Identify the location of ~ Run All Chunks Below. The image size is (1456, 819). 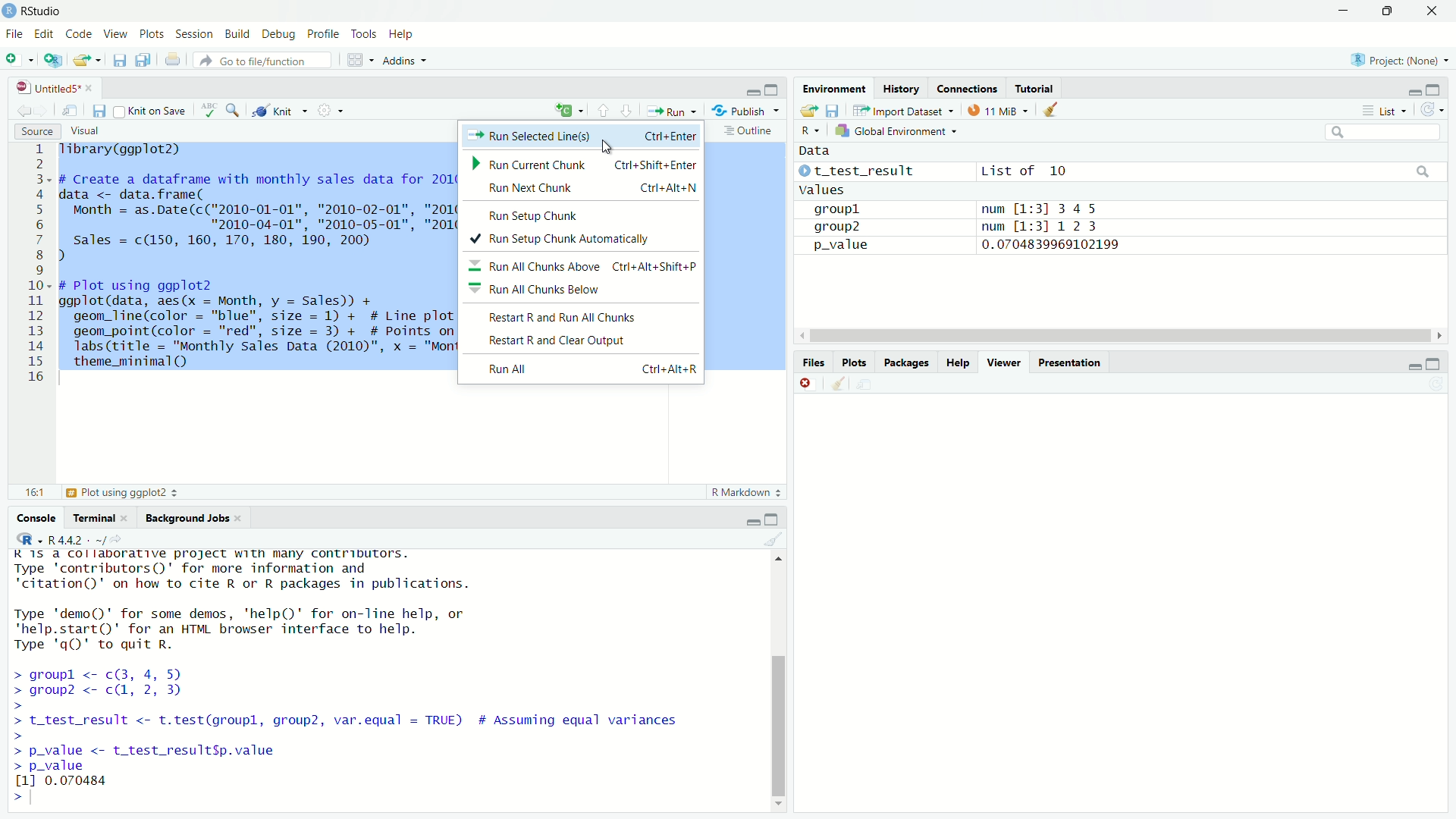
(544, 291).